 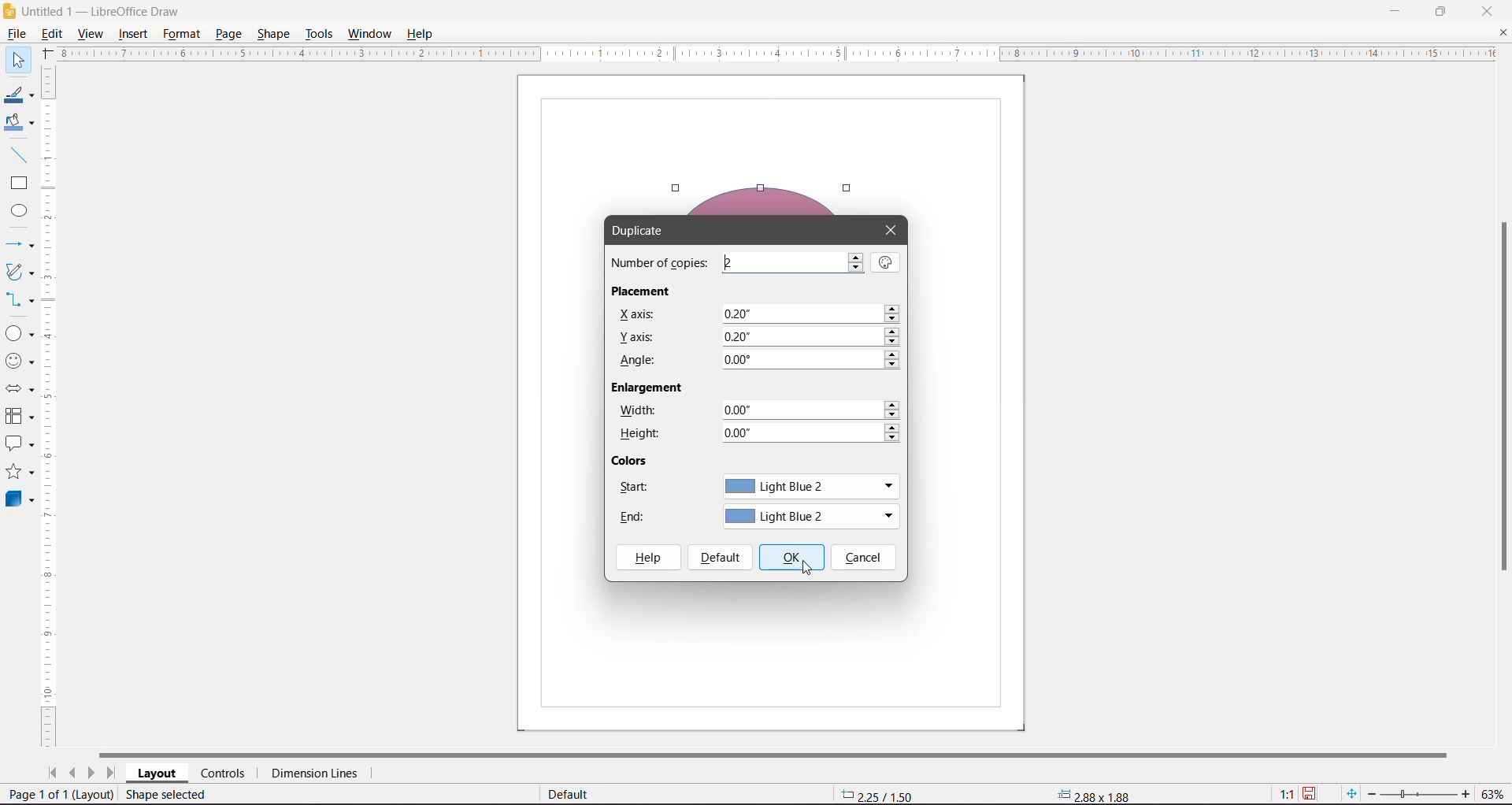 I want to click on Values from Selection, so click(x=886, y=263).